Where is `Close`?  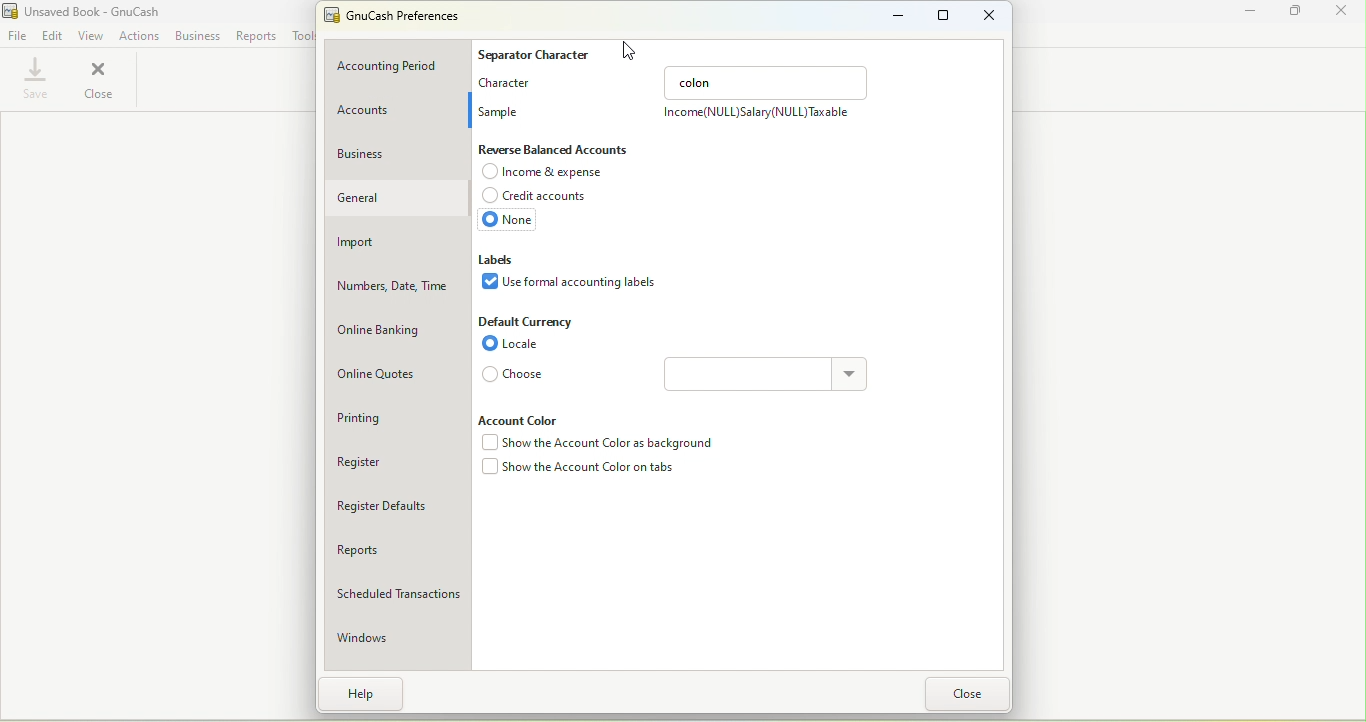
Close is located at coordinates (970, 695).